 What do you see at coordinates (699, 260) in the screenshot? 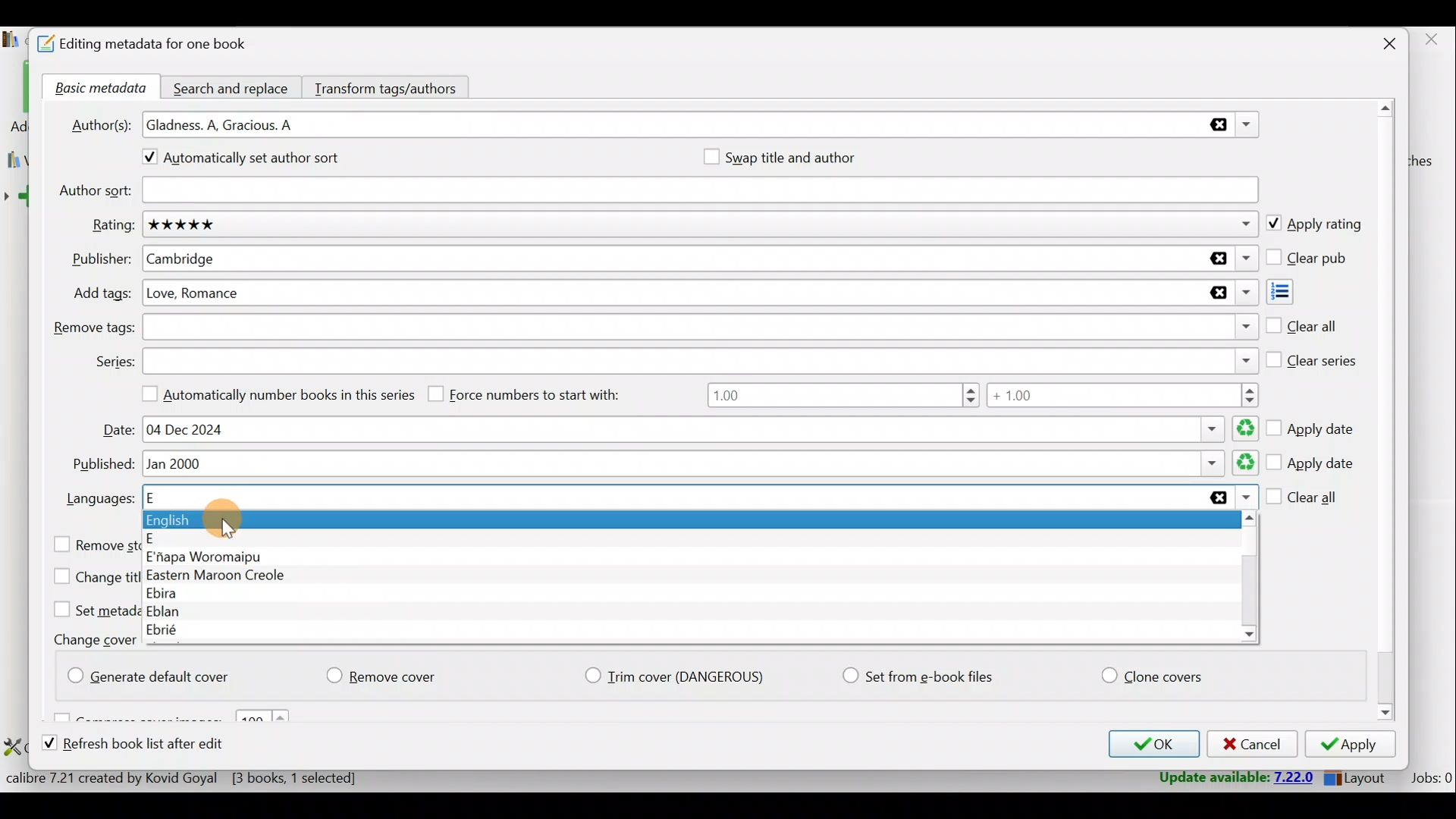
I see `Publisher` at bounding box center [699, 260].